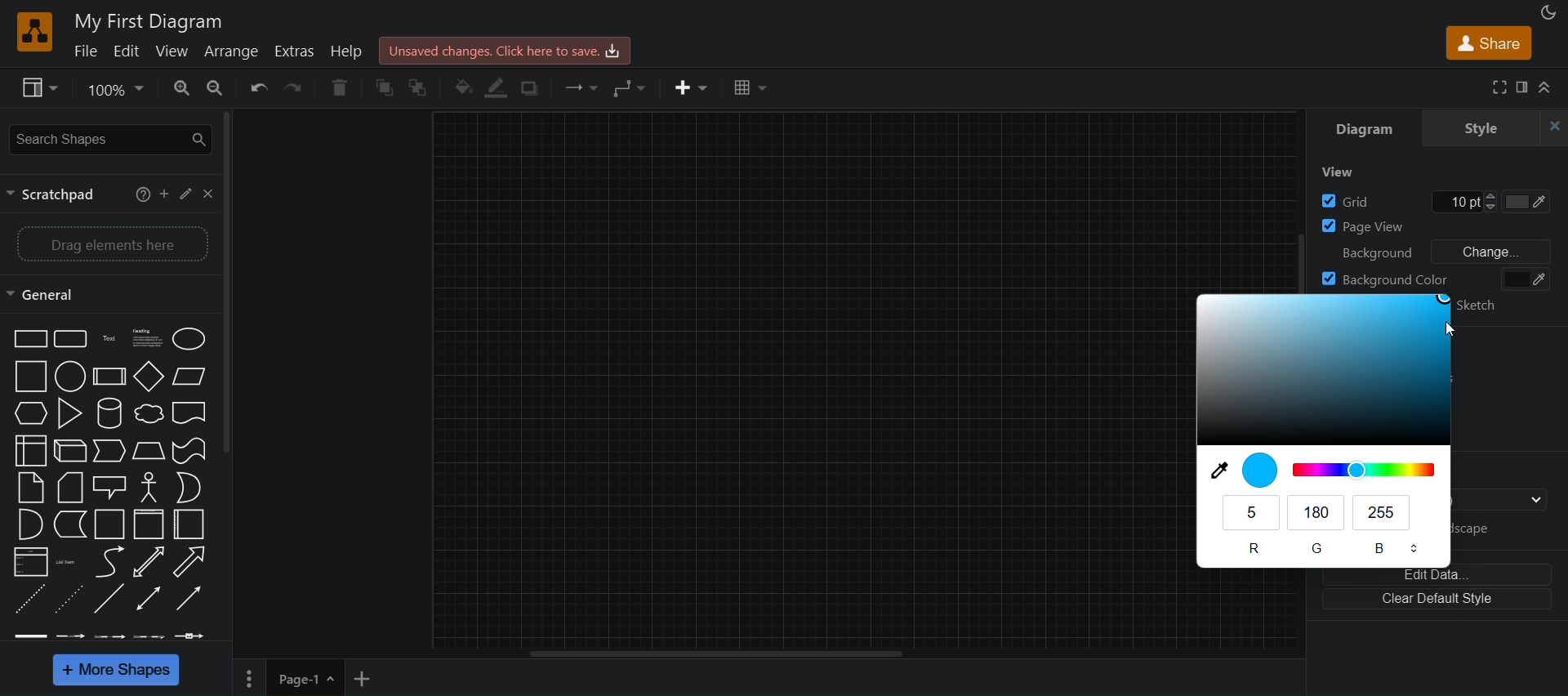  Describe the element at coordinates (1542, 501) in the screenshot. I see `drop down` at that location.